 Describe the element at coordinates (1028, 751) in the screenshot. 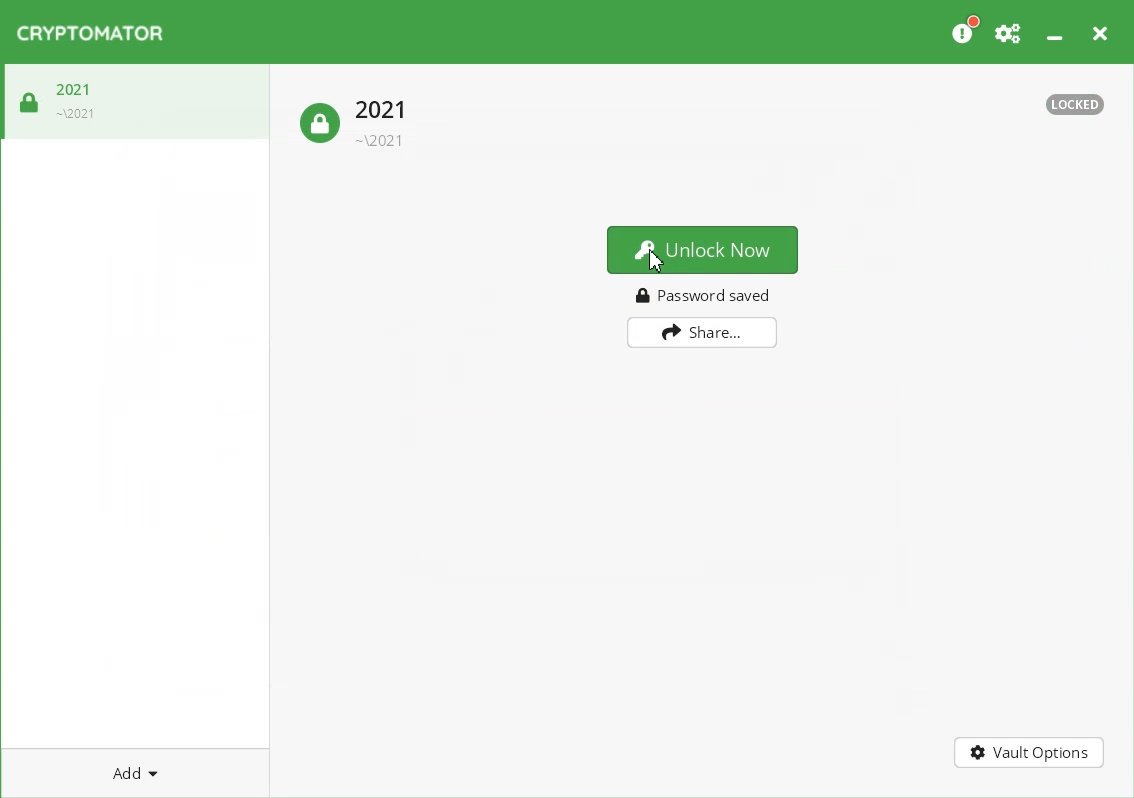

I see `Vault Options` at that location.